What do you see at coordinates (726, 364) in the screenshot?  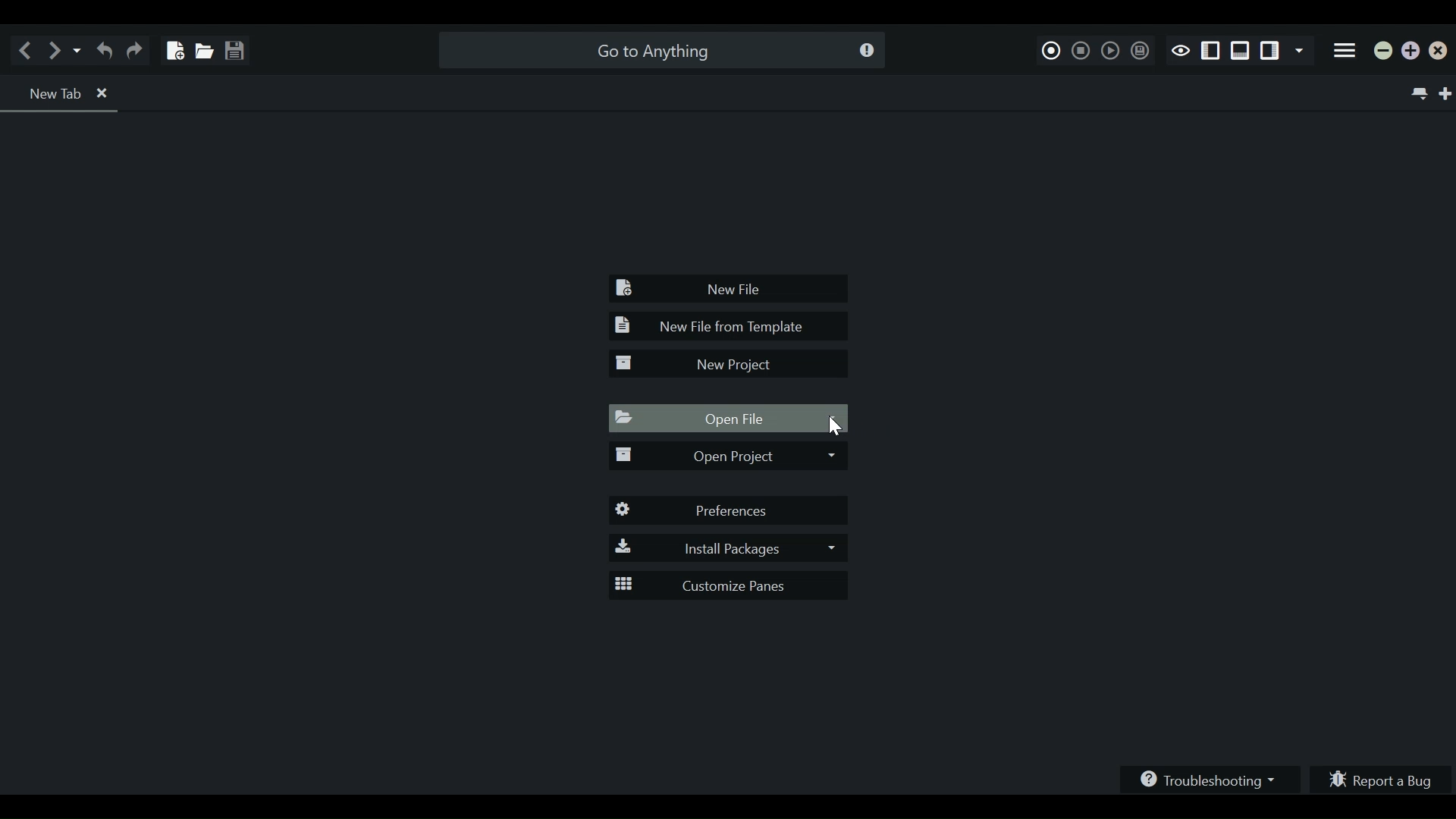 I see `New Project` at bounding box center [726, 364].